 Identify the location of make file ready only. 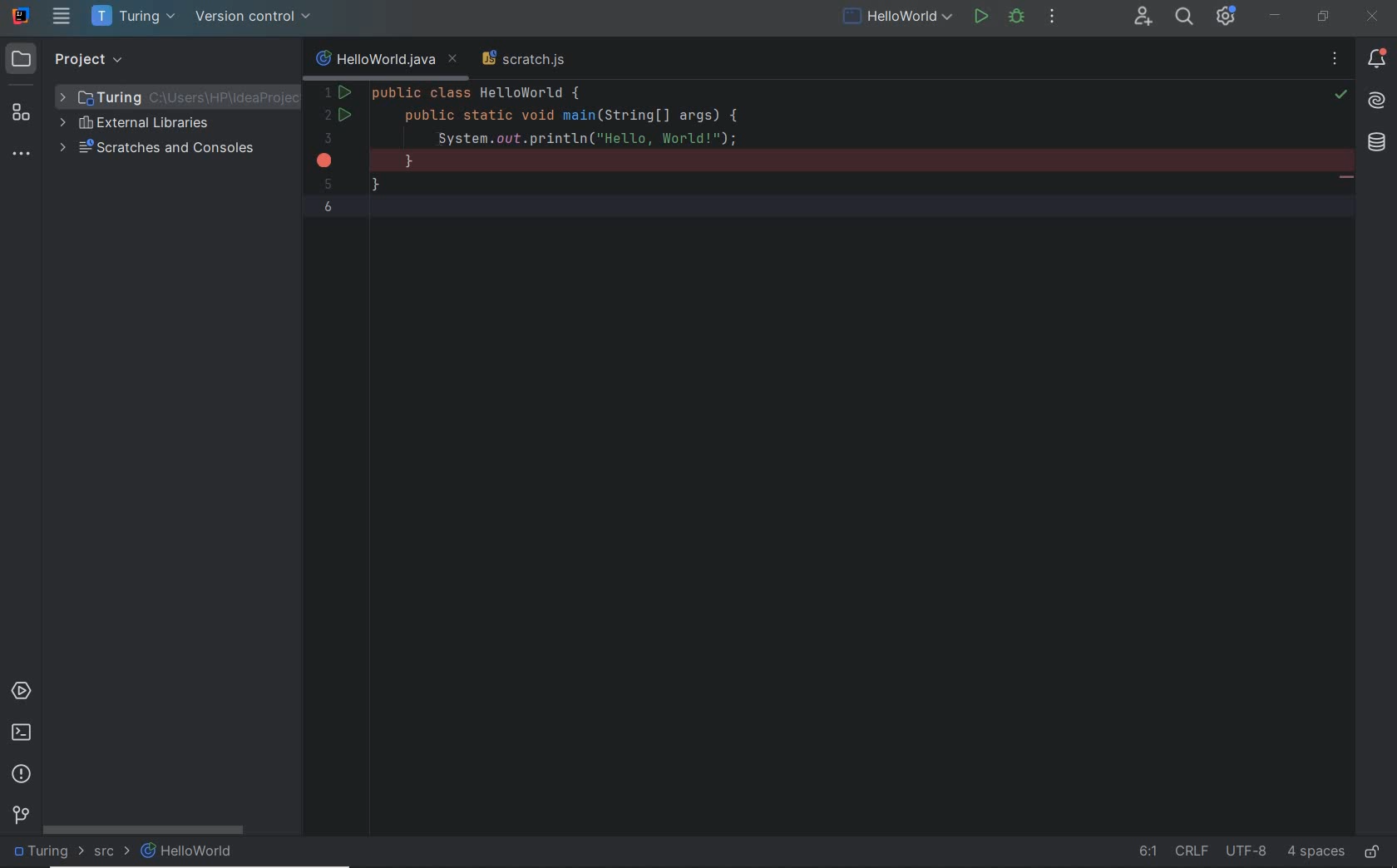
(1373, 850).